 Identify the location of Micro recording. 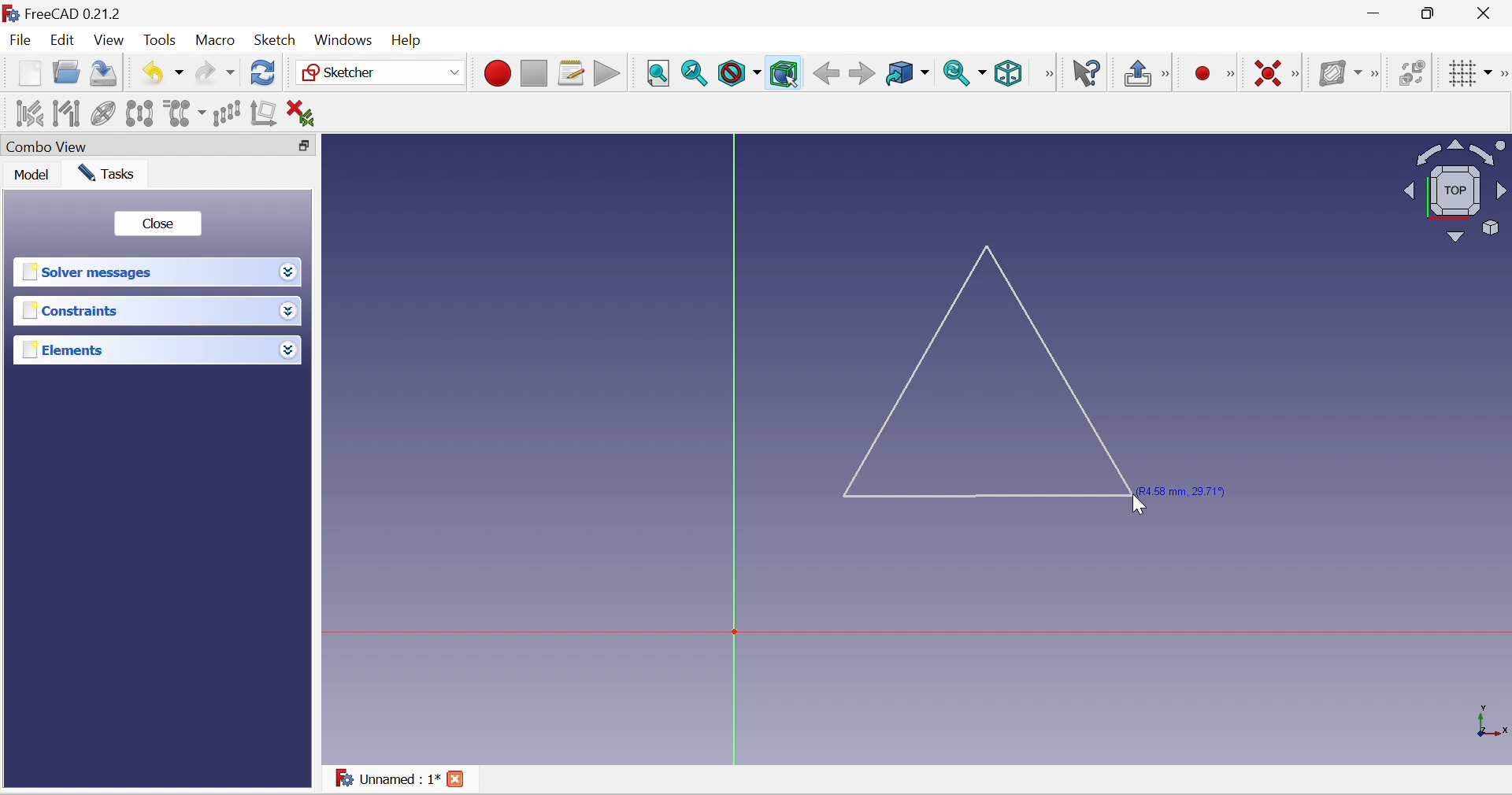
(1203, 75).